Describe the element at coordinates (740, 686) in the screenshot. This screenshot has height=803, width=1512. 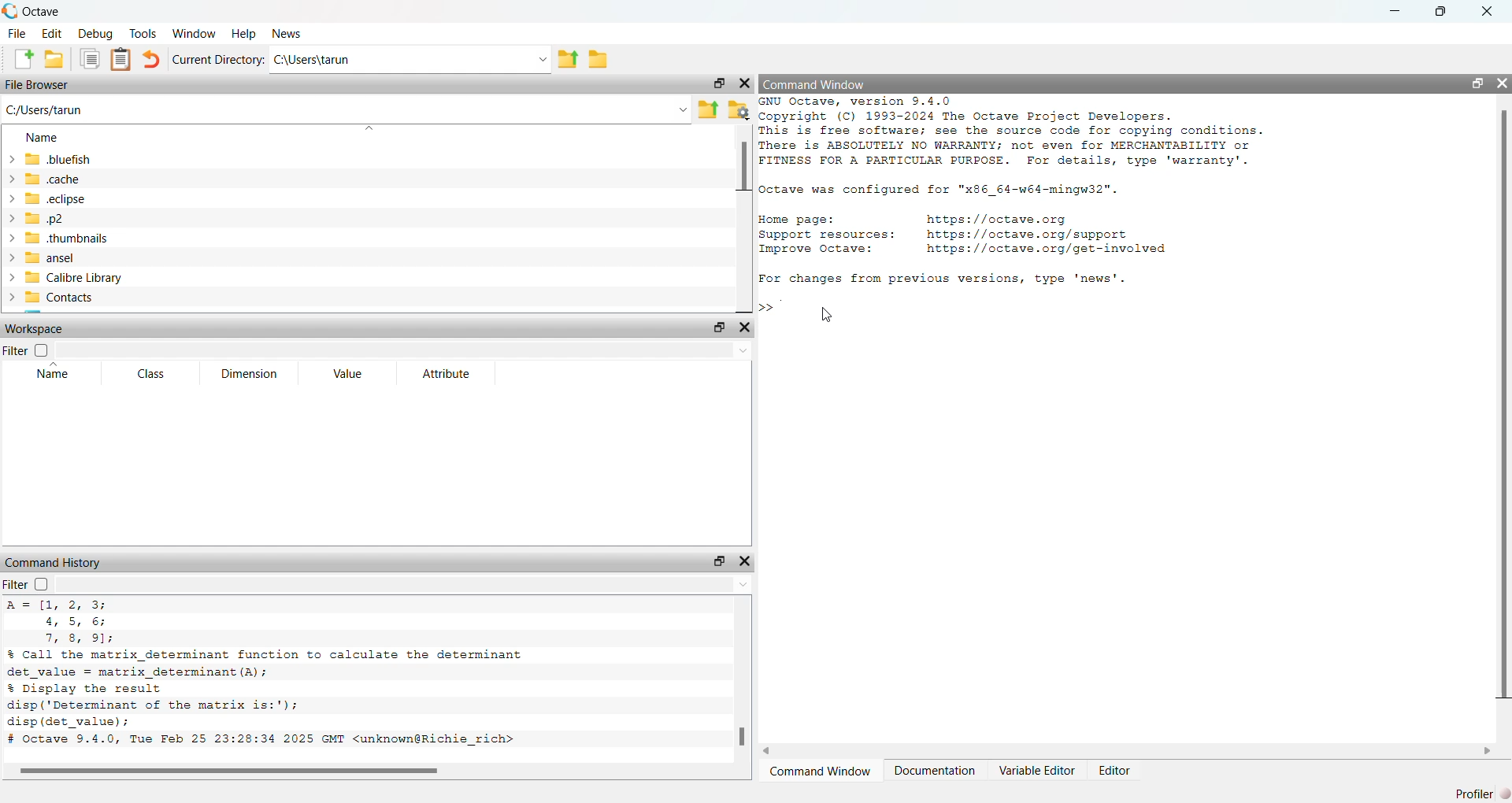
I see `scrollbar ` at that location.